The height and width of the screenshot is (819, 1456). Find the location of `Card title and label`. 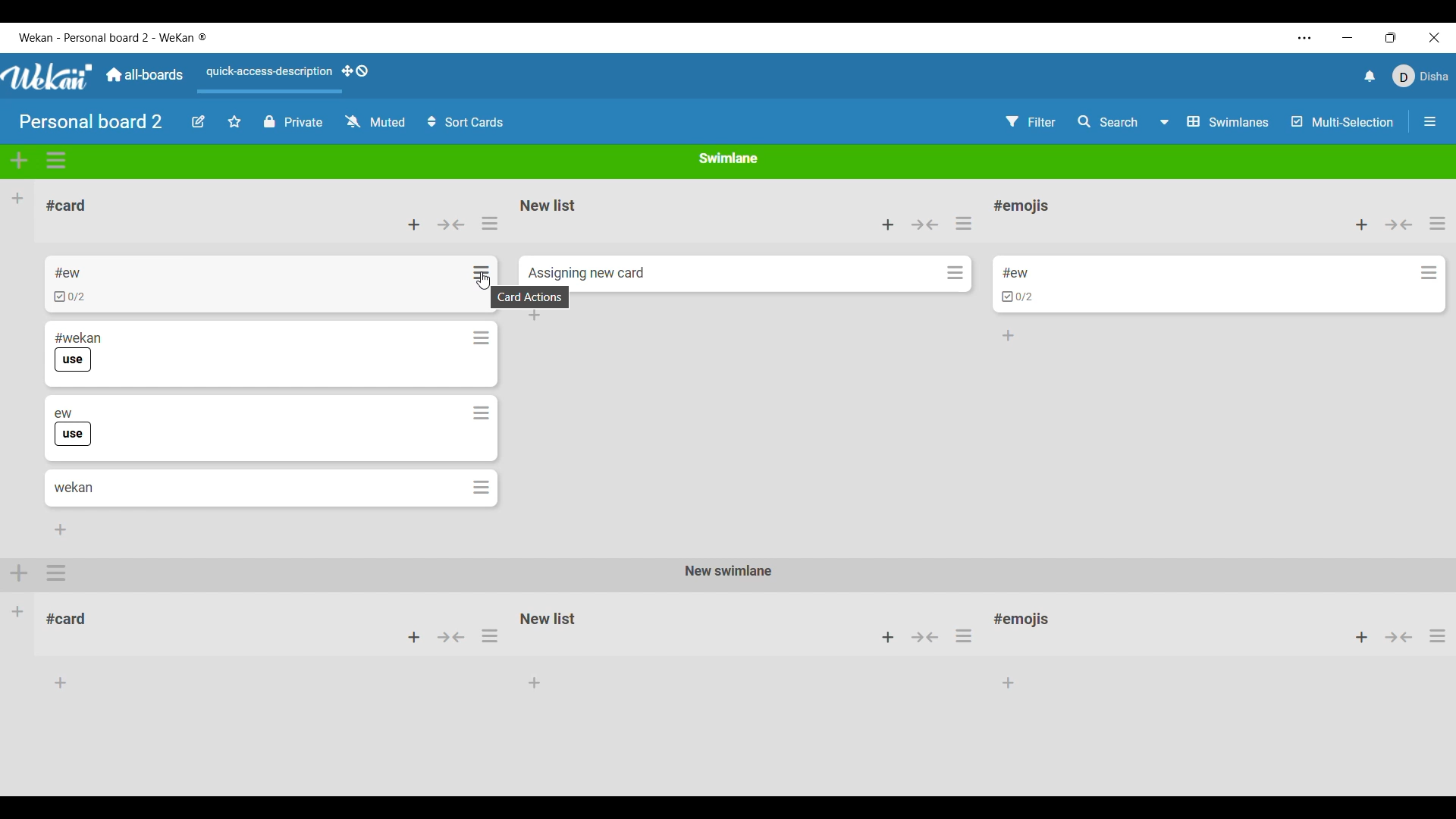

Card title and label is located at coordinates (74, 428).